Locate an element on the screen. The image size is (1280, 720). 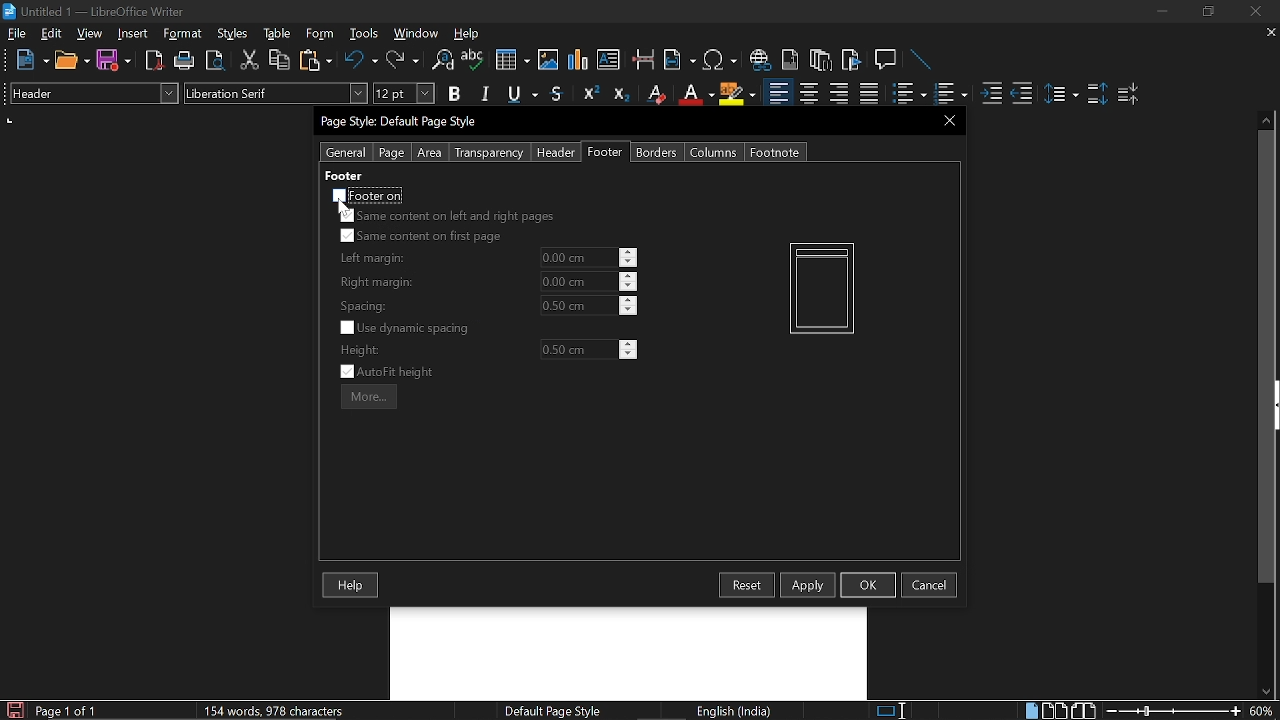
Area is located at coordinates (430, 153).